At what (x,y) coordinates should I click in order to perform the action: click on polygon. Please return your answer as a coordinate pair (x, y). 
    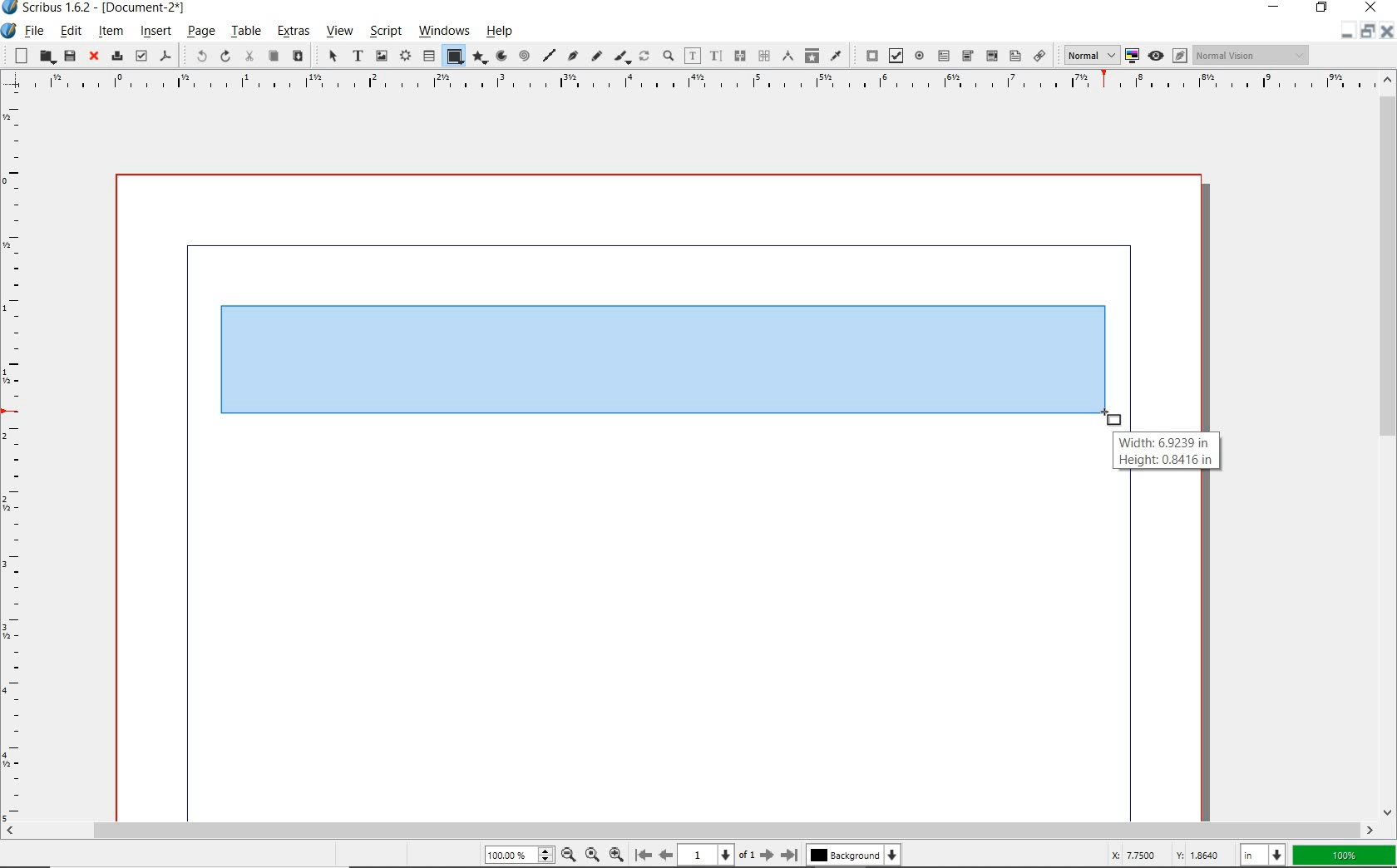
    Looking at the image, I should click on (481, 58).